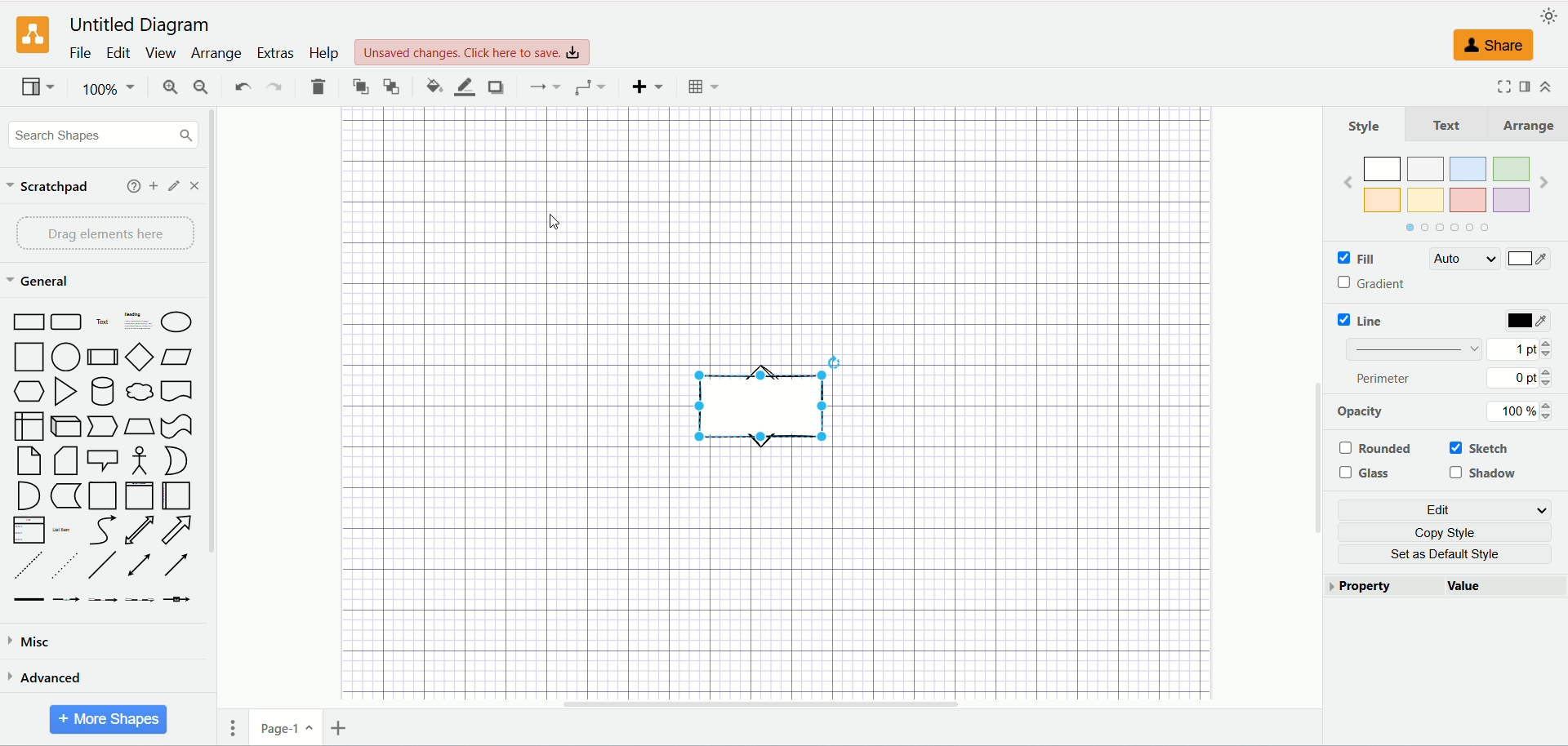  Describe the element at coordinates (72, 599) in the screenshot. I see `Connector` at that location.